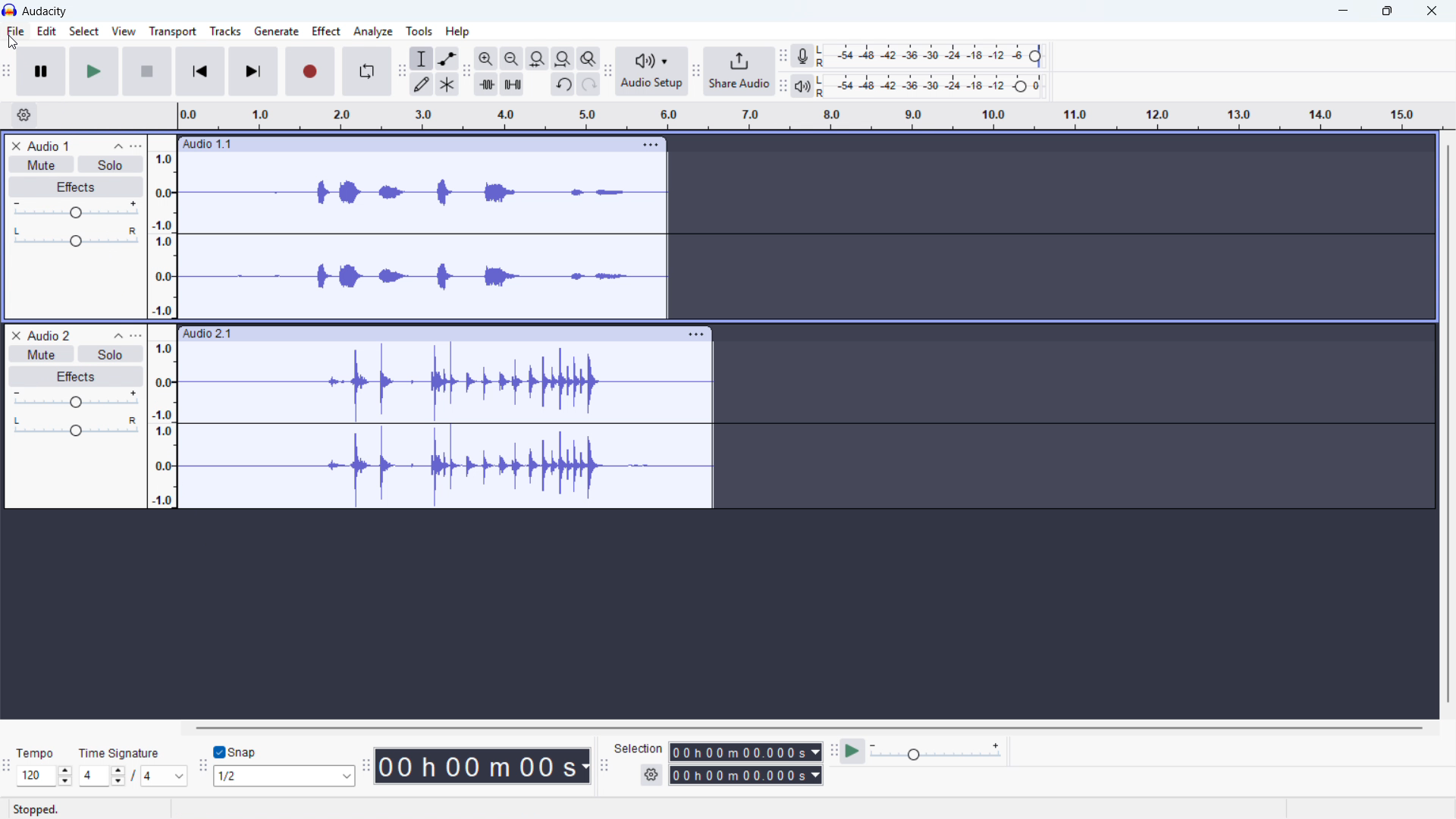 The width and height of the screenshot is (1456, 819). Describe the element at coordinates (46, 11) in the screenshot. I see `Audacity` at that location.